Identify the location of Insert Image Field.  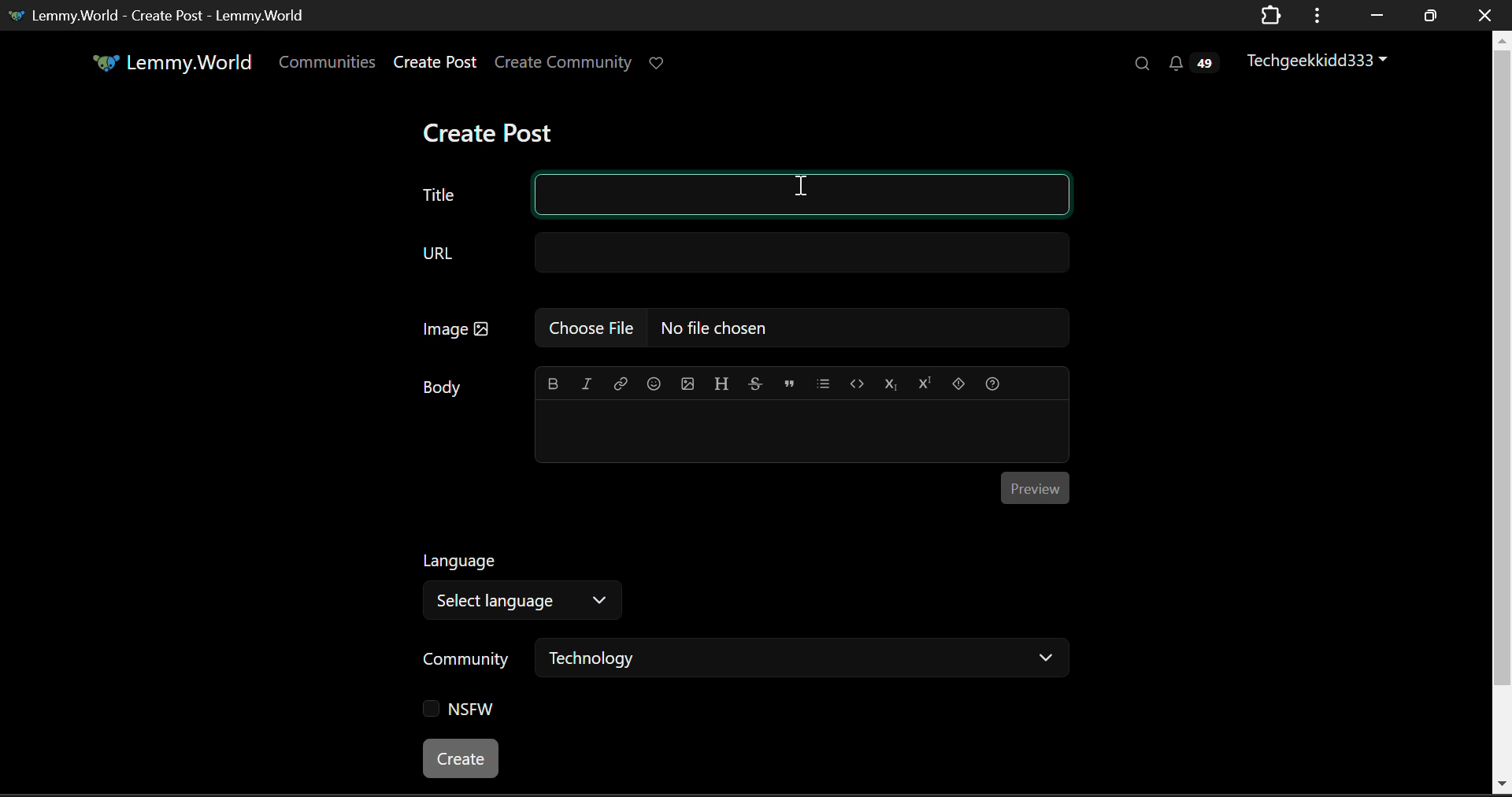
(736, 330).